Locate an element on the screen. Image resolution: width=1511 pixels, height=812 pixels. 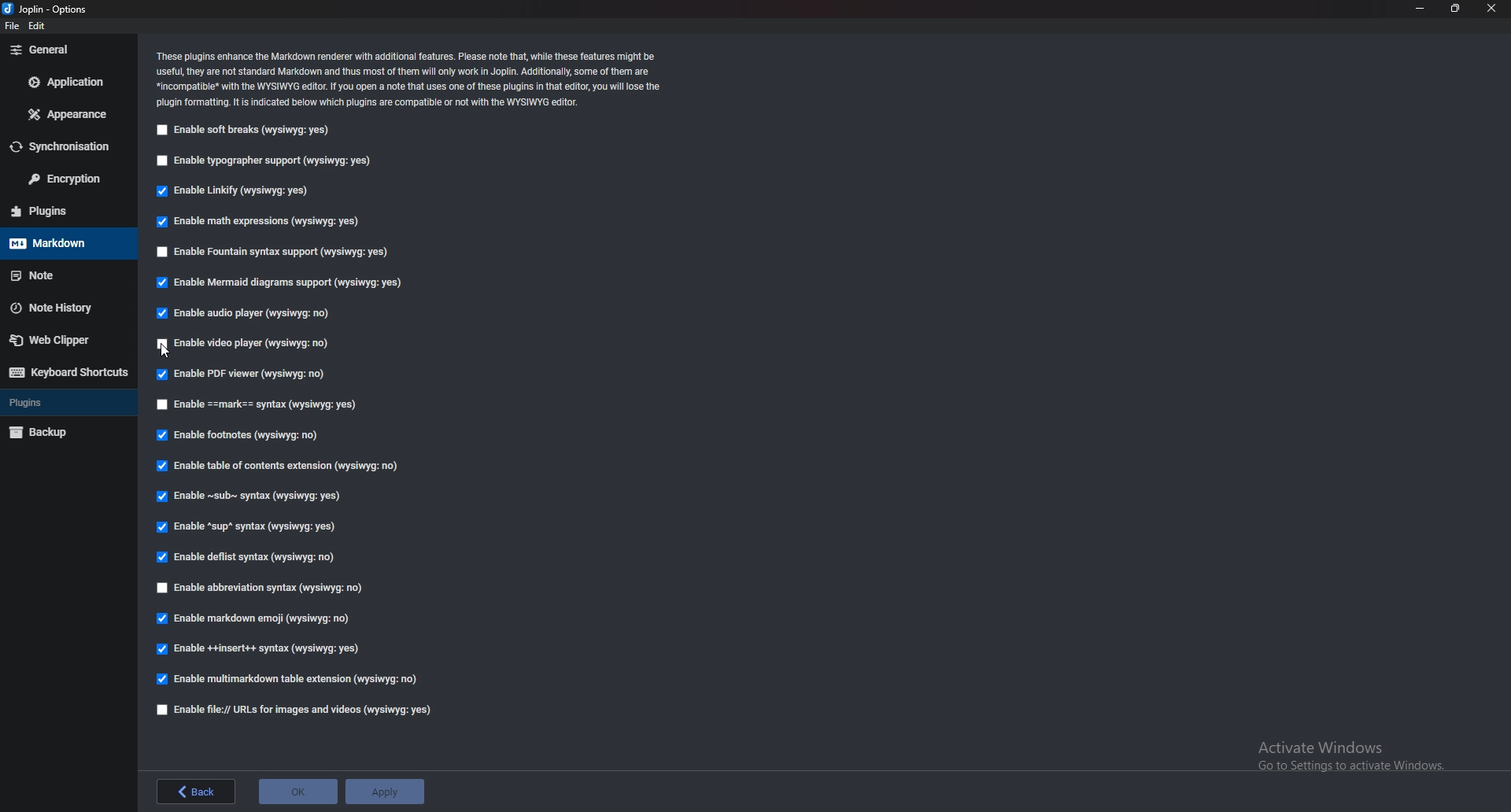
Enable table of contents extension is located at coordinates (282, 466).